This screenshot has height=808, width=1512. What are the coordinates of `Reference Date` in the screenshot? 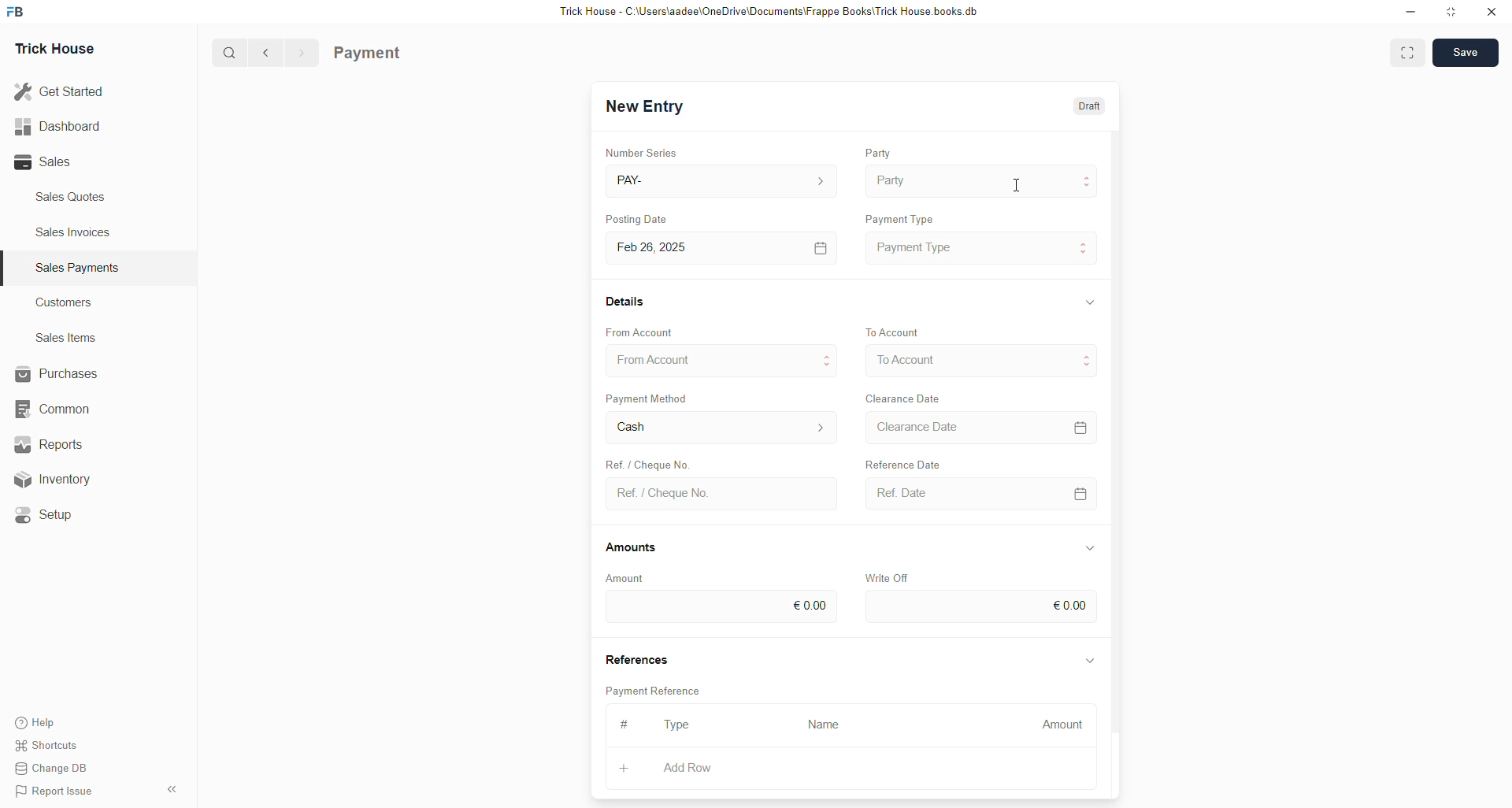 It's located at (902, 462).